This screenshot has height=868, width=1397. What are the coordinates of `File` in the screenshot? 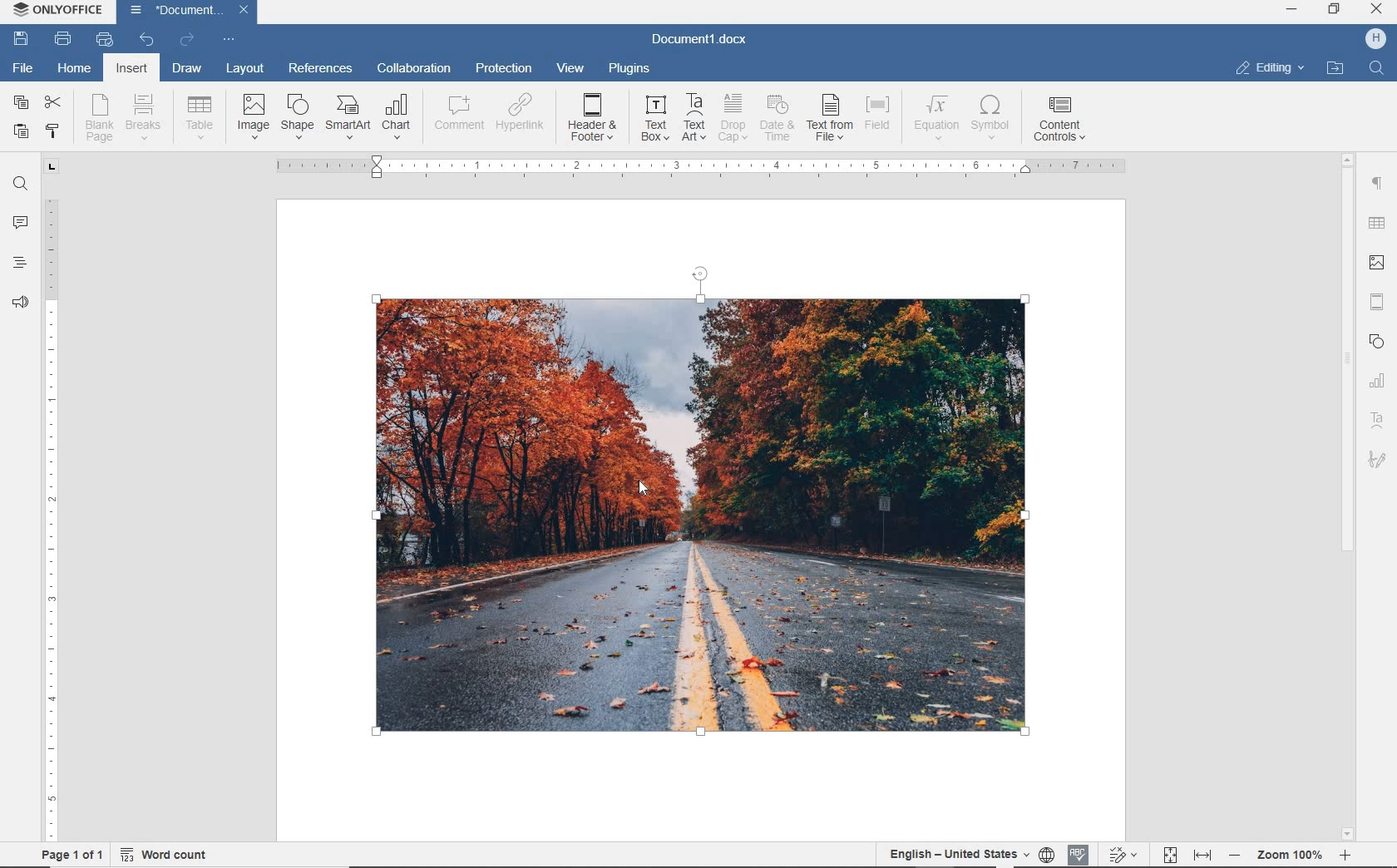 It's located at (23, 67).